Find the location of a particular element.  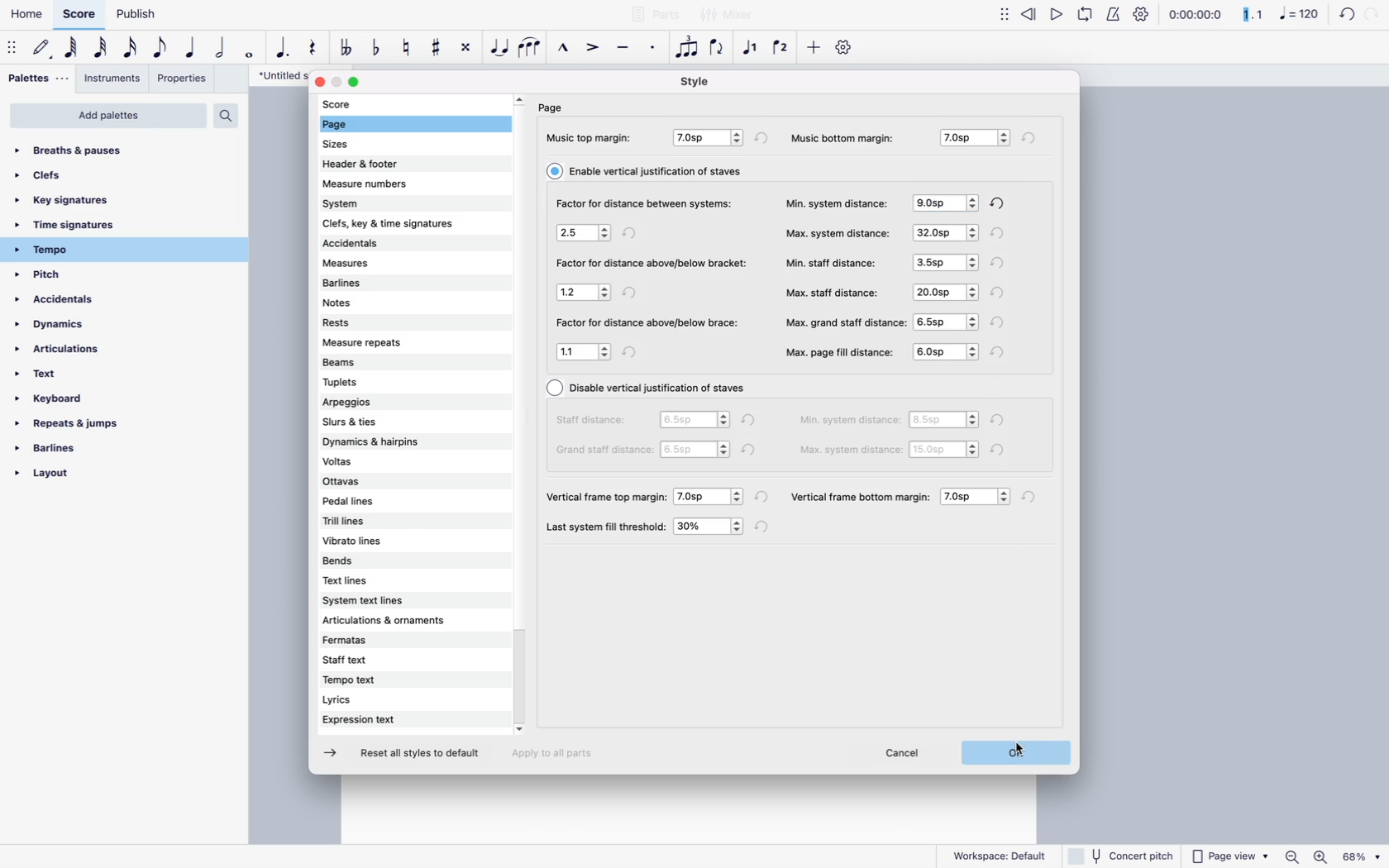

tempo text is located at coordinates (381, 681).